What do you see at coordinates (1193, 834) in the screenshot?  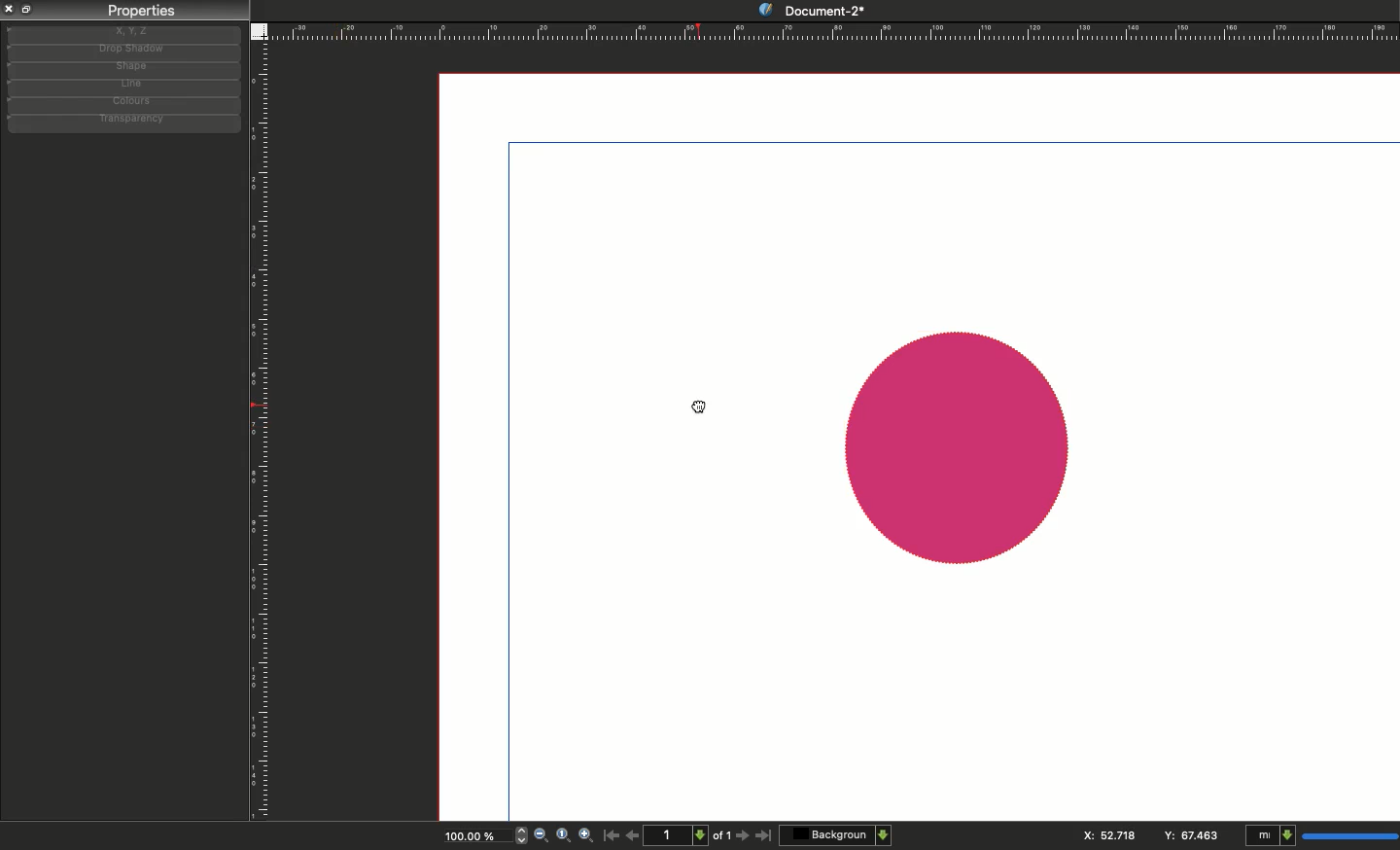 I see `Y: 84.706` at bounding box center [1193, 834].